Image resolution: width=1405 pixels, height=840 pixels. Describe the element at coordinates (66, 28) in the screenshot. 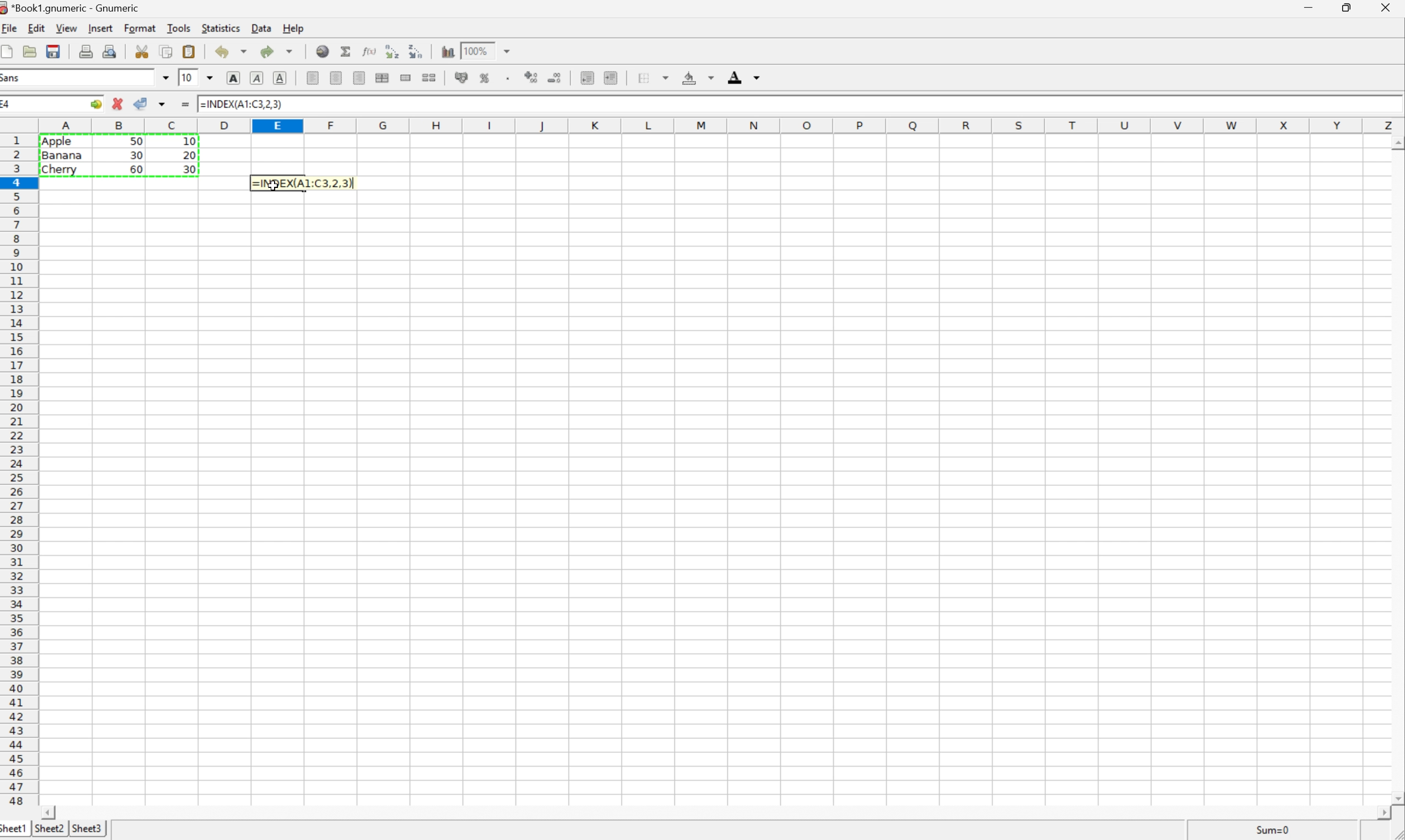

I see `view` at that location.